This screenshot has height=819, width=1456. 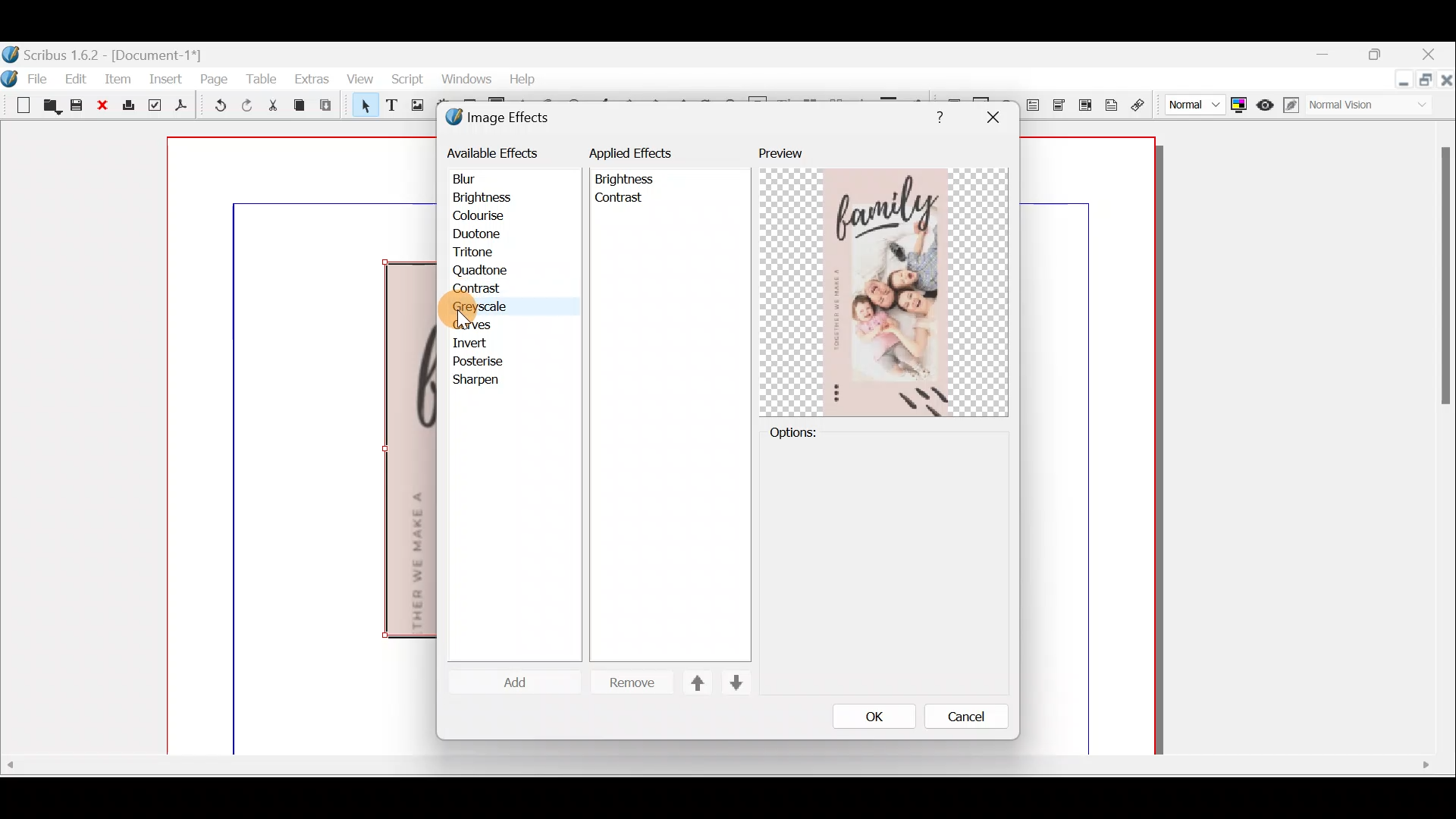 I want to click on PDF list box, so click(x=1084, y=108).